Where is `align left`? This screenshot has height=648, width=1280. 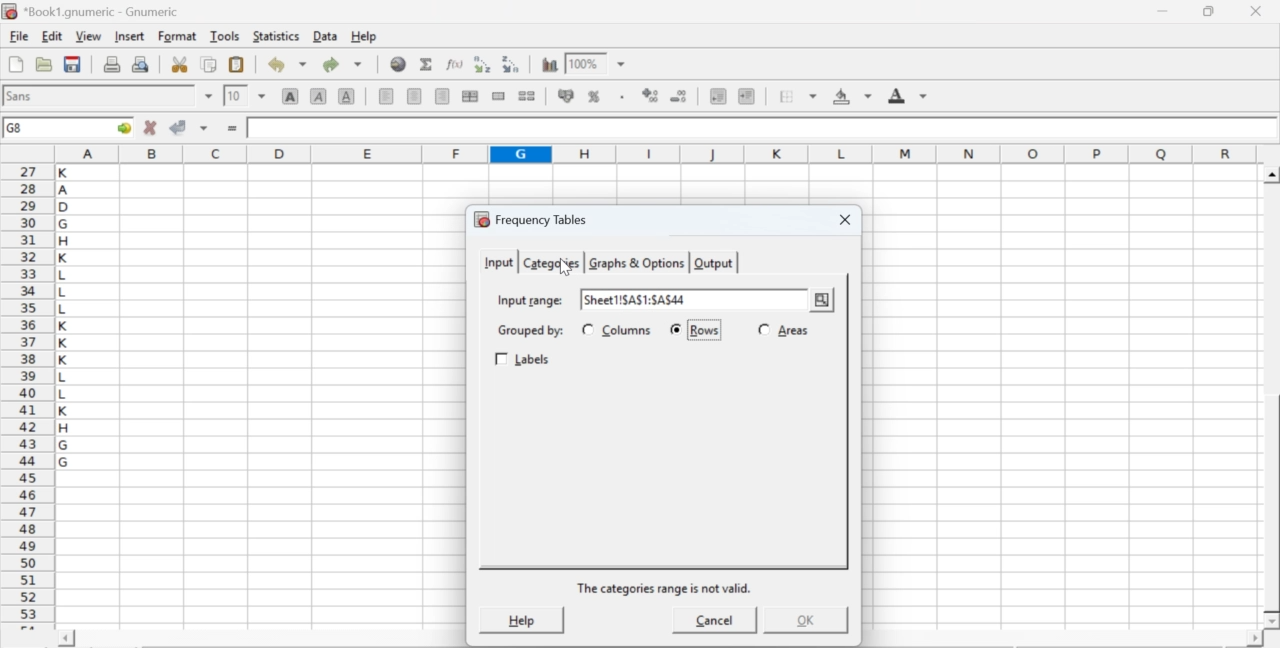
align left is located at coordinates (386, 94).